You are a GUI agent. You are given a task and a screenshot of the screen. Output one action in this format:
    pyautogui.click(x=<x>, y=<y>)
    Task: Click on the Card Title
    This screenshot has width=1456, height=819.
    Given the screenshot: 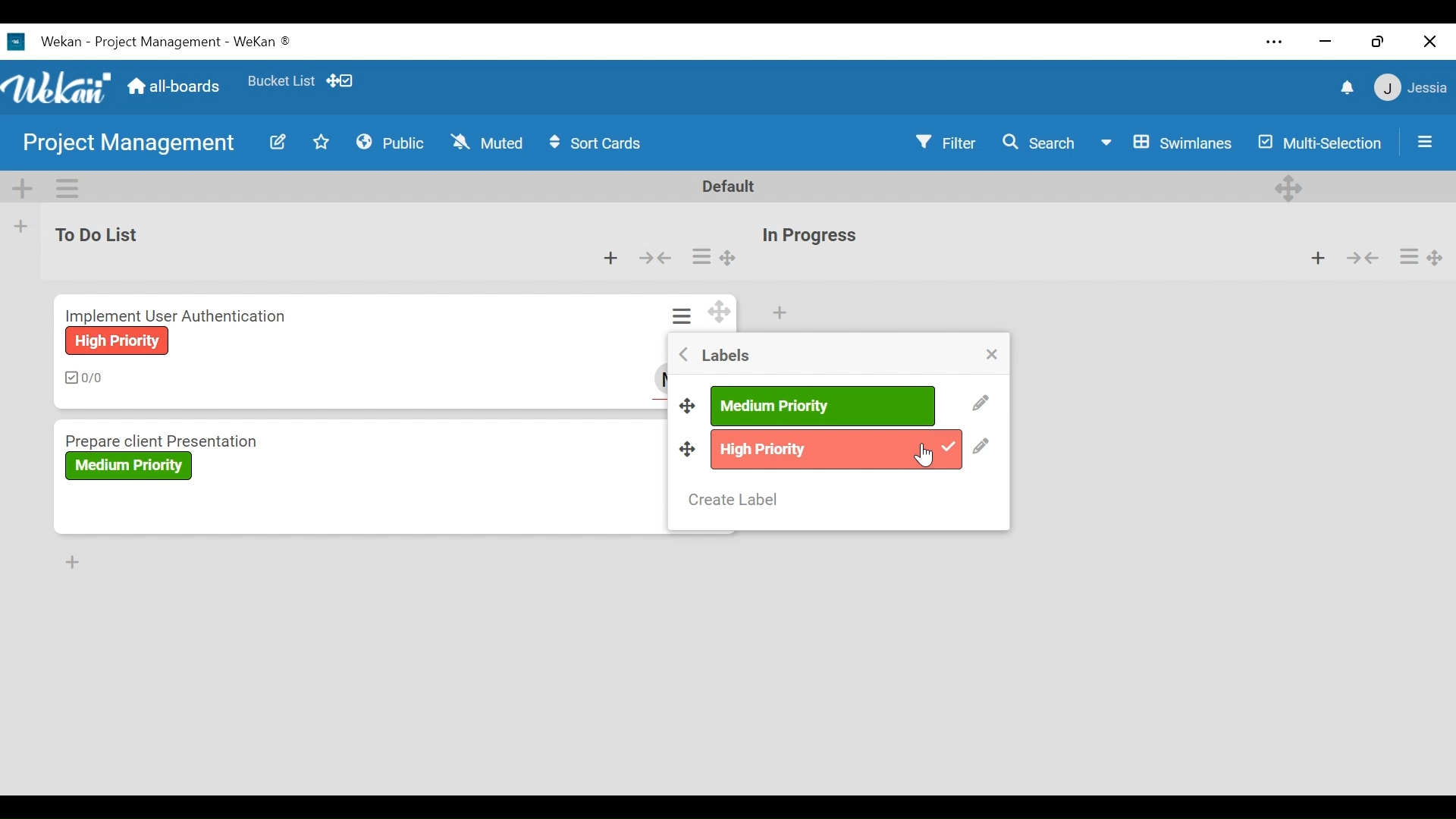 What is the action you would take?
    pyautogui.click(x=177, y=315)
    